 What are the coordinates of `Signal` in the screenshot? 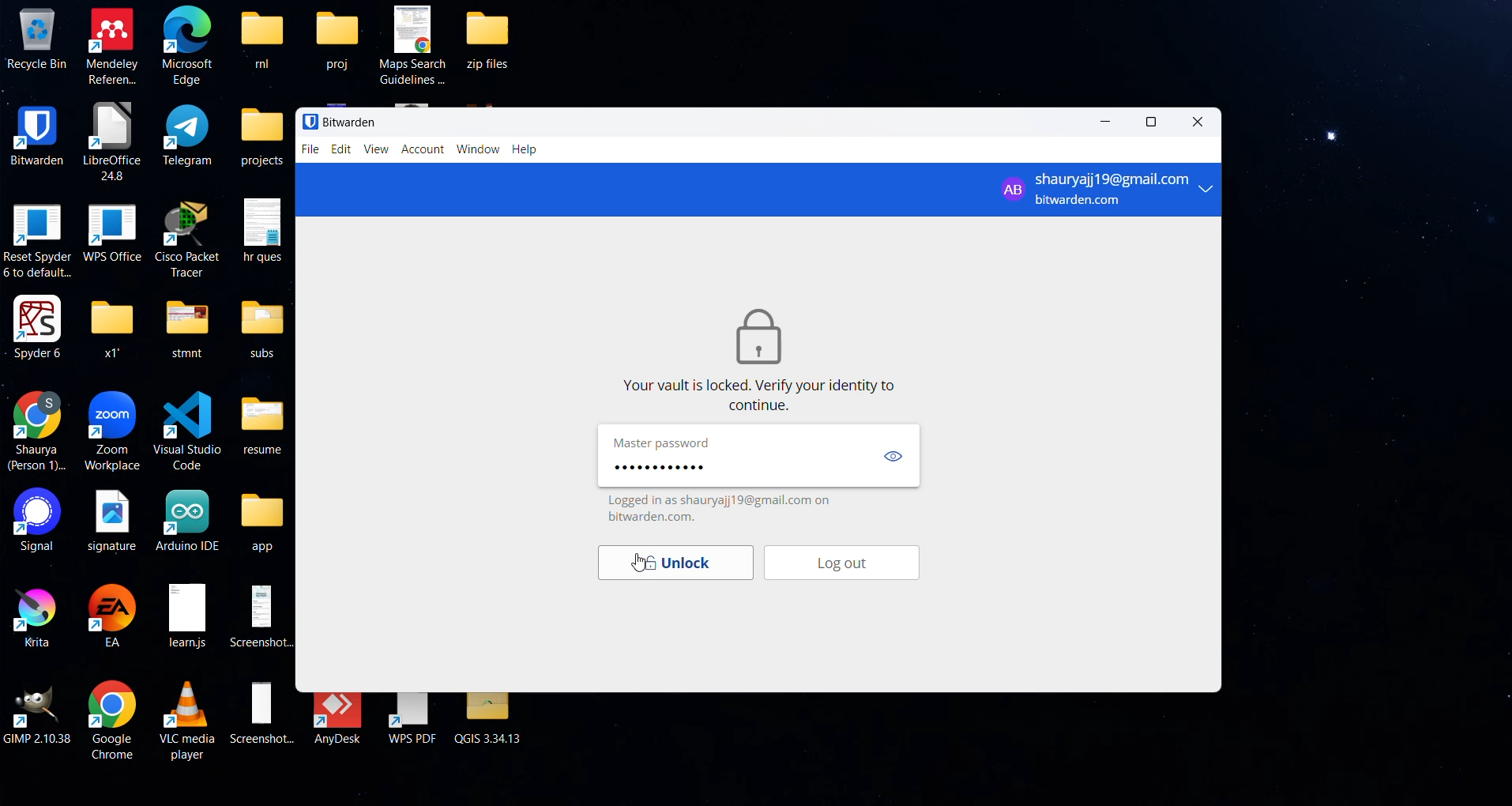 It's located at (32, 521).